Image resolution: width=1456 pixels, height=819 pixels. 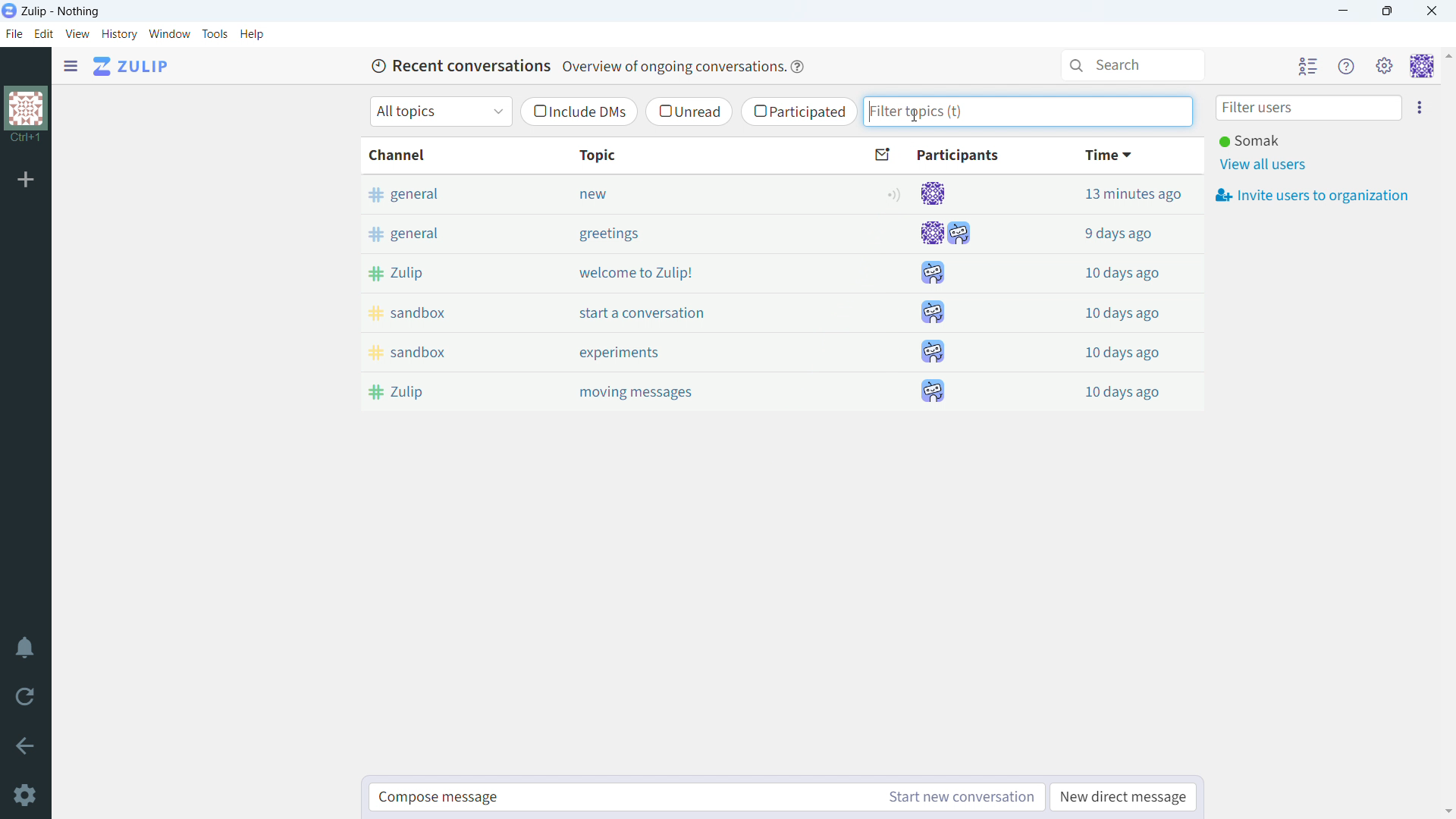 What do you see at coordinates (441, 111) in the screenshot?
I see `select topics` at bounding box center [441, 111].